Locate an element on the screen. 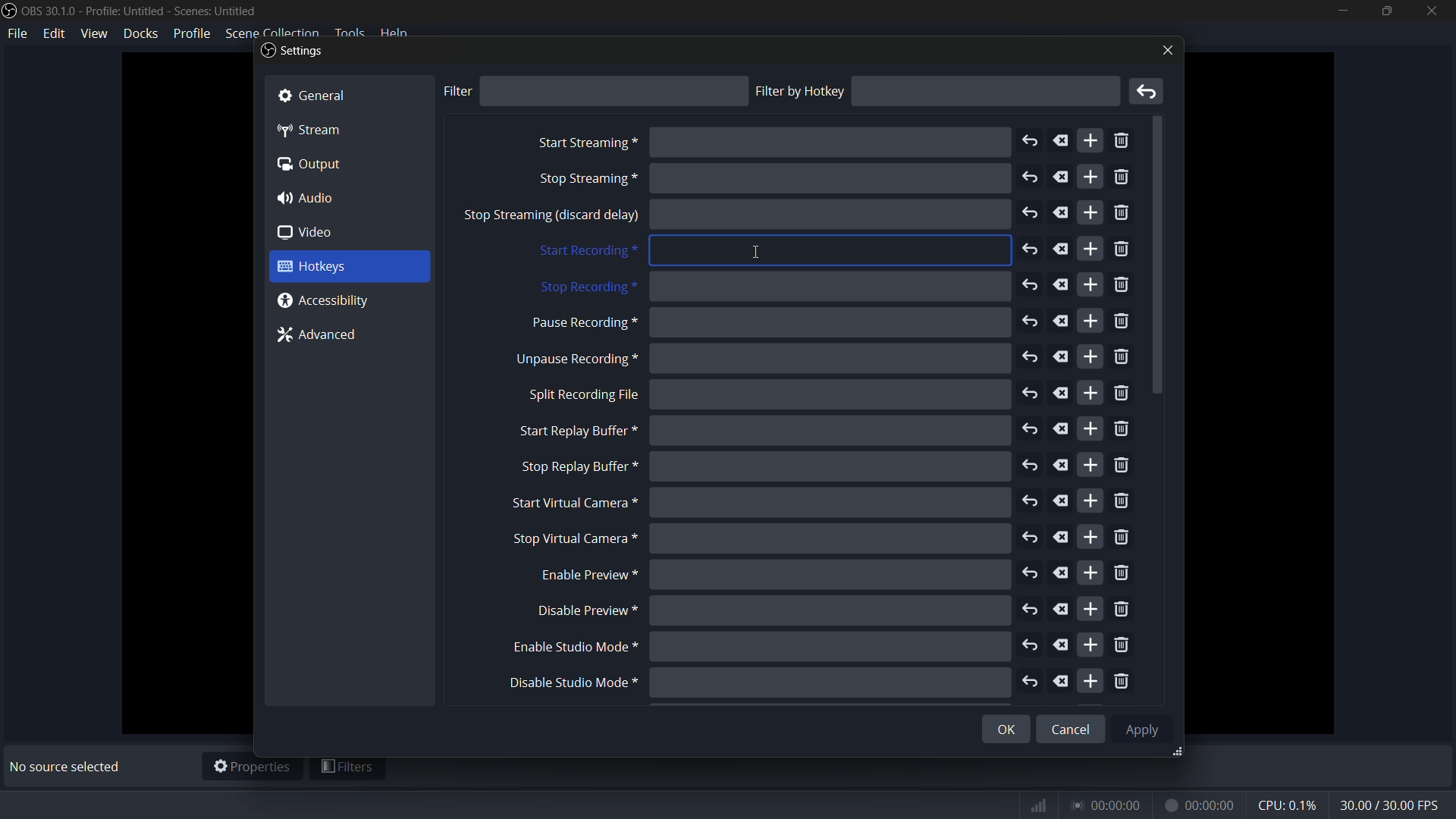 The height and width of the screenshot is (819, 1456). start recording is located at coordinates (585, 252).